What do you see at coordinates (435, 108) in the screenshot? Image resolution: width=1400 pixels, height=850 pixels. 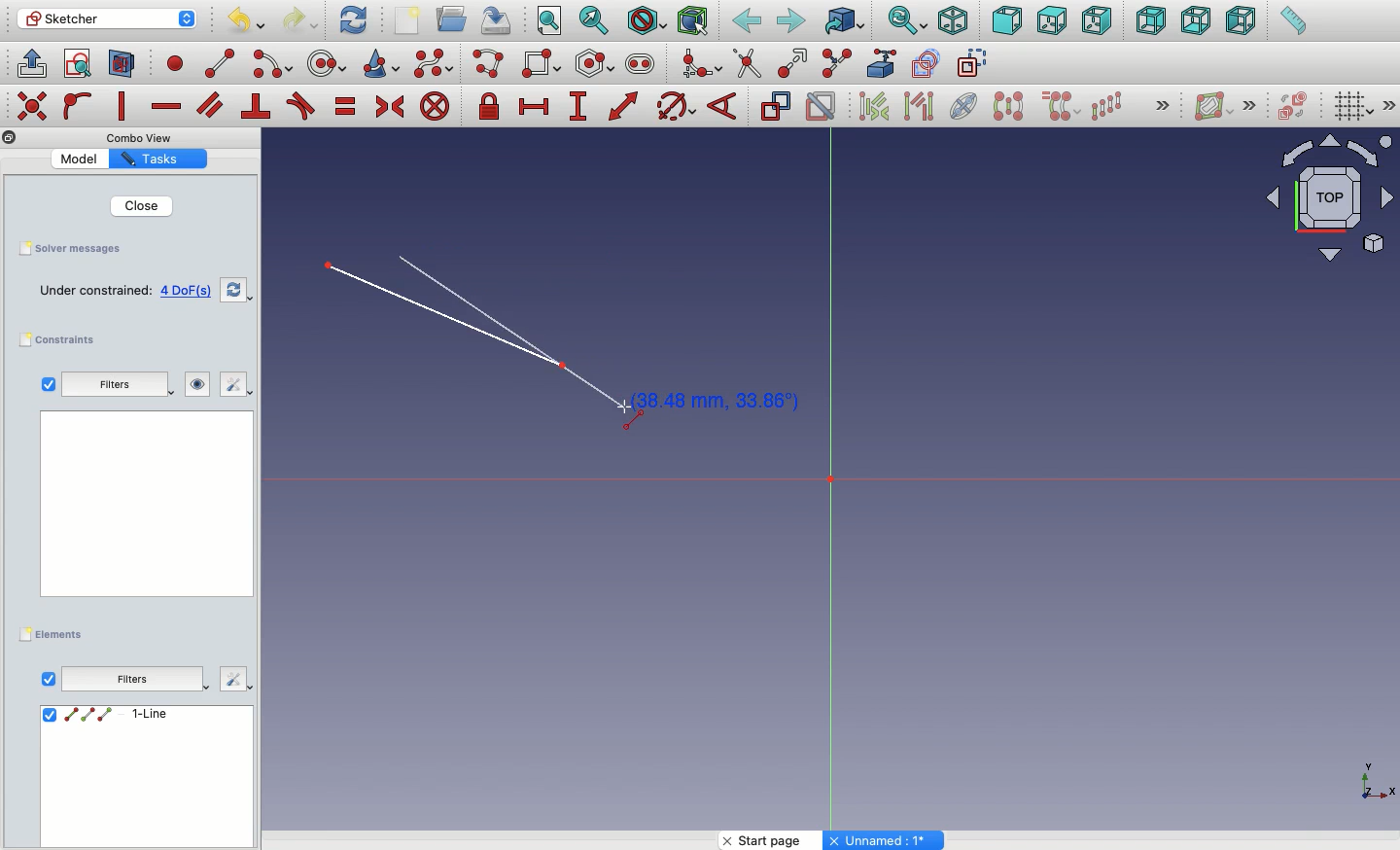 I see `Constrain block` at bounding box center [435, 108].